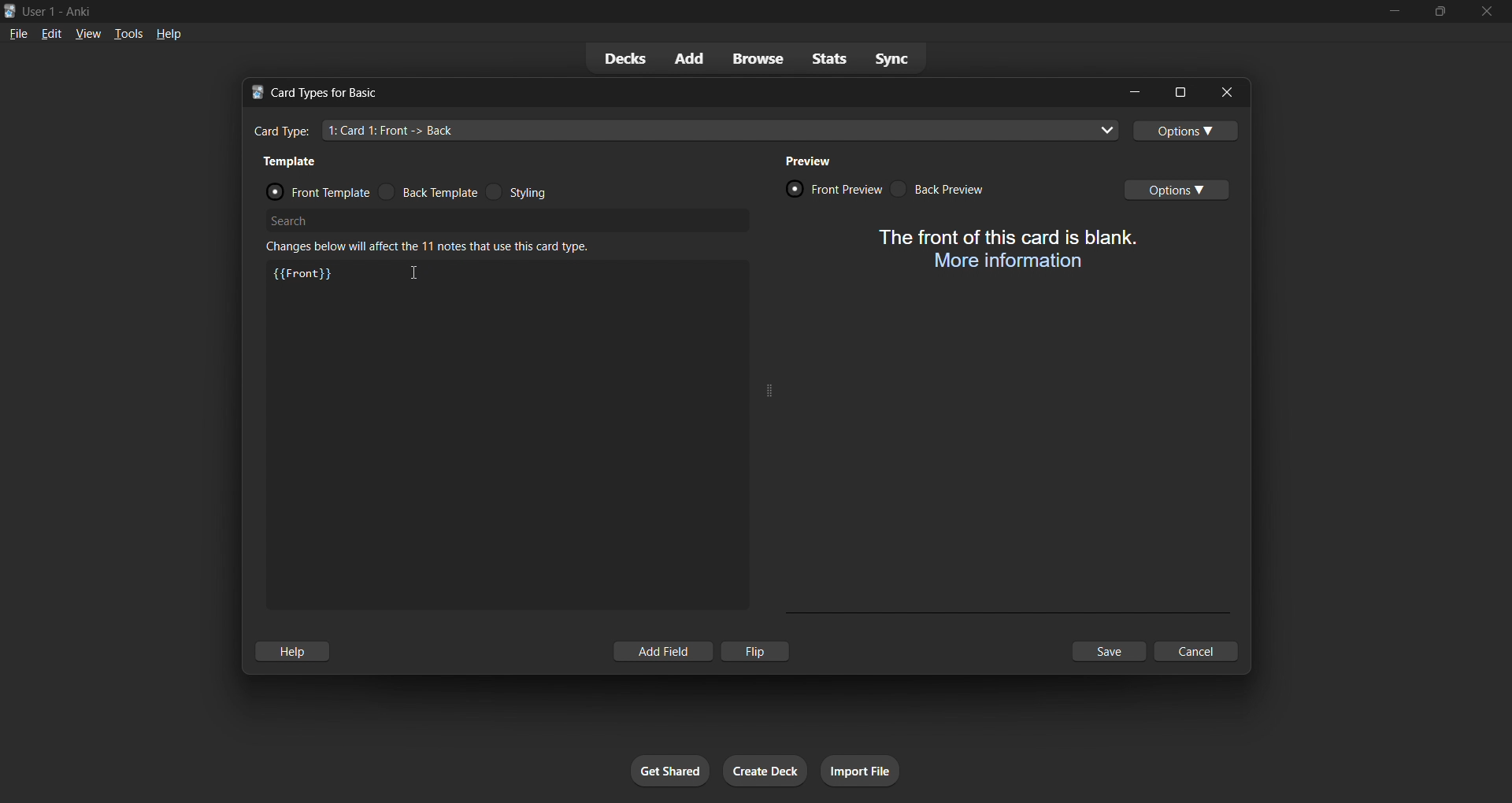 This screenshot has width=1512, height=803. What do you see at coordinates (1177, 91) in the screenshot?
I see `maximize` at bounding box center [1177, 91].